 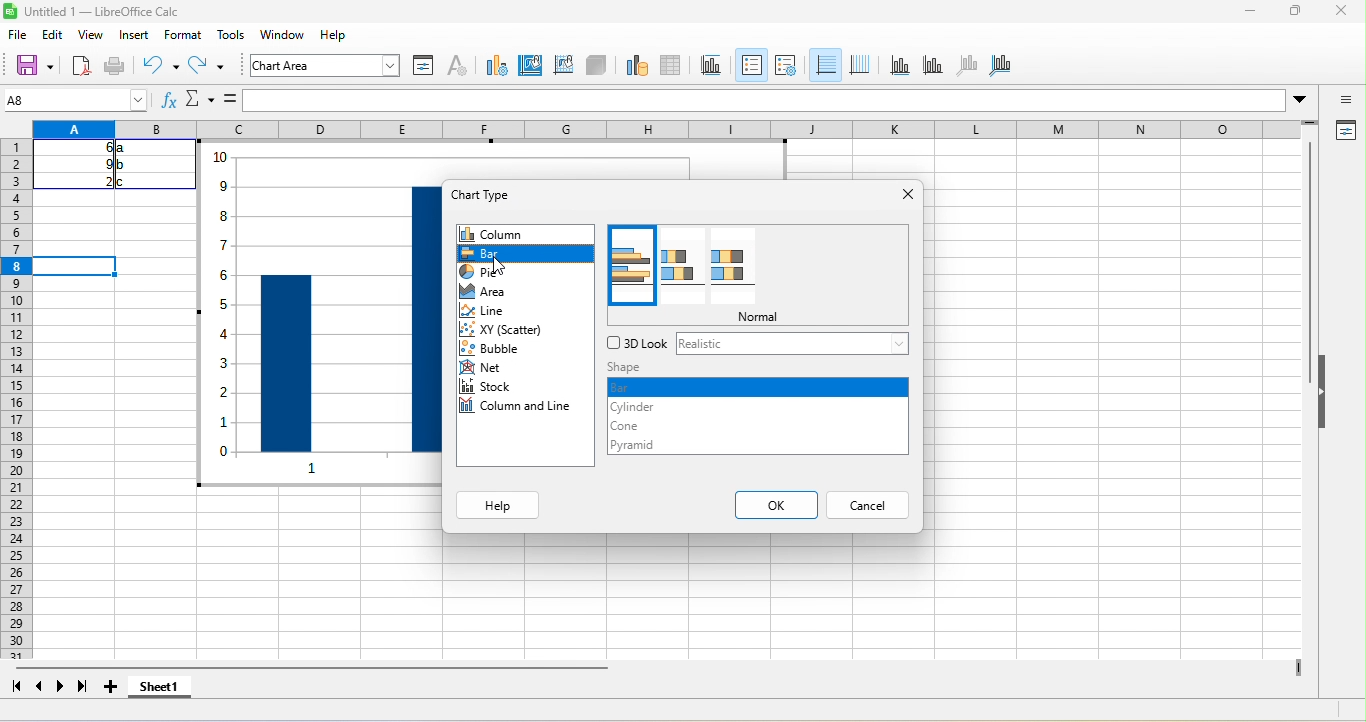 What do you see at coordinates (94, 165) in the screenshot?
I see `9` at bounding box center [94, 165].